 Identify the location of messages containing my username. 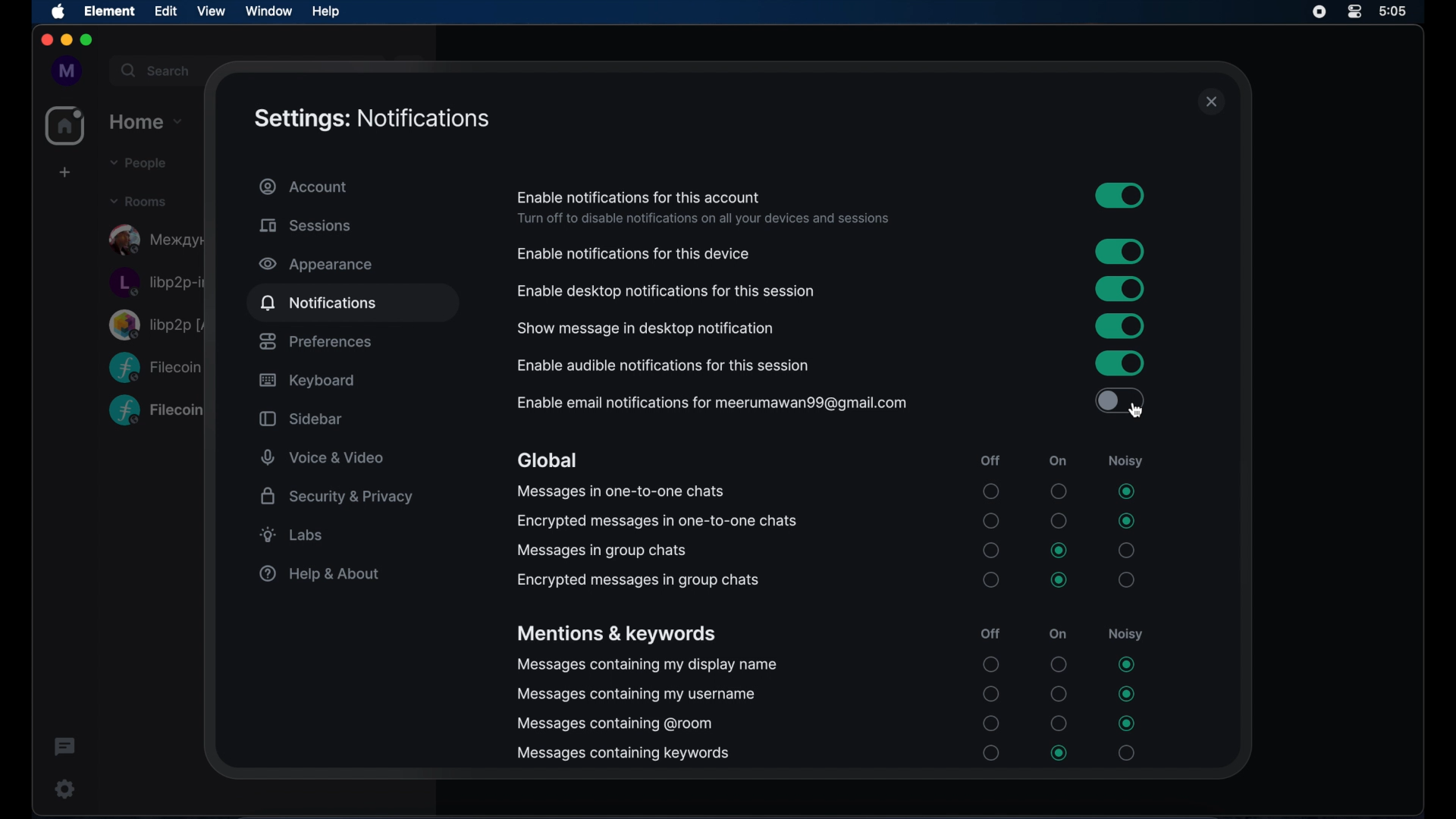
(637, 695).